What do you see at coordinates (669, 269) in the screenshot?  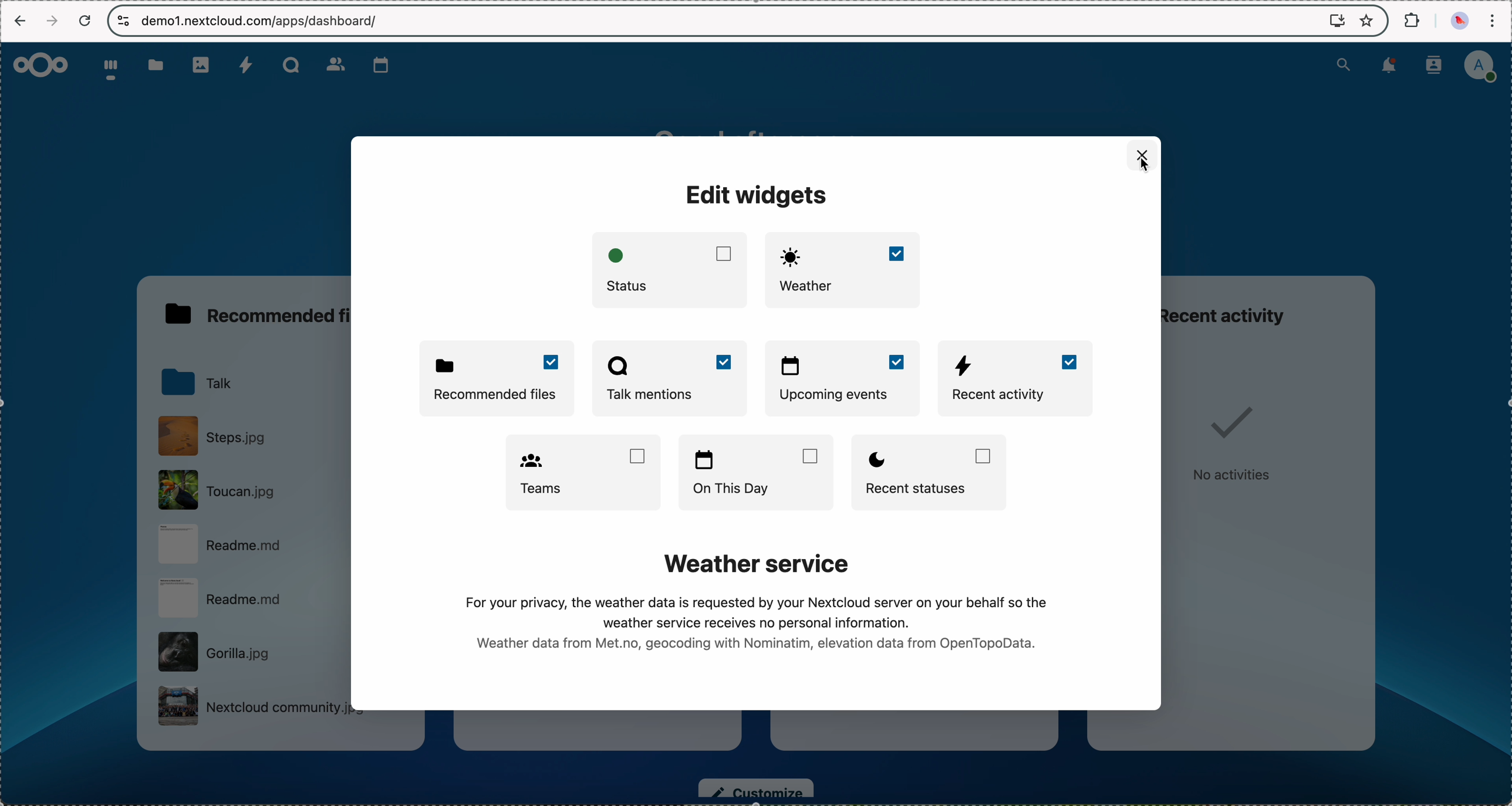 I see `status` at bounding box center [669, 269].